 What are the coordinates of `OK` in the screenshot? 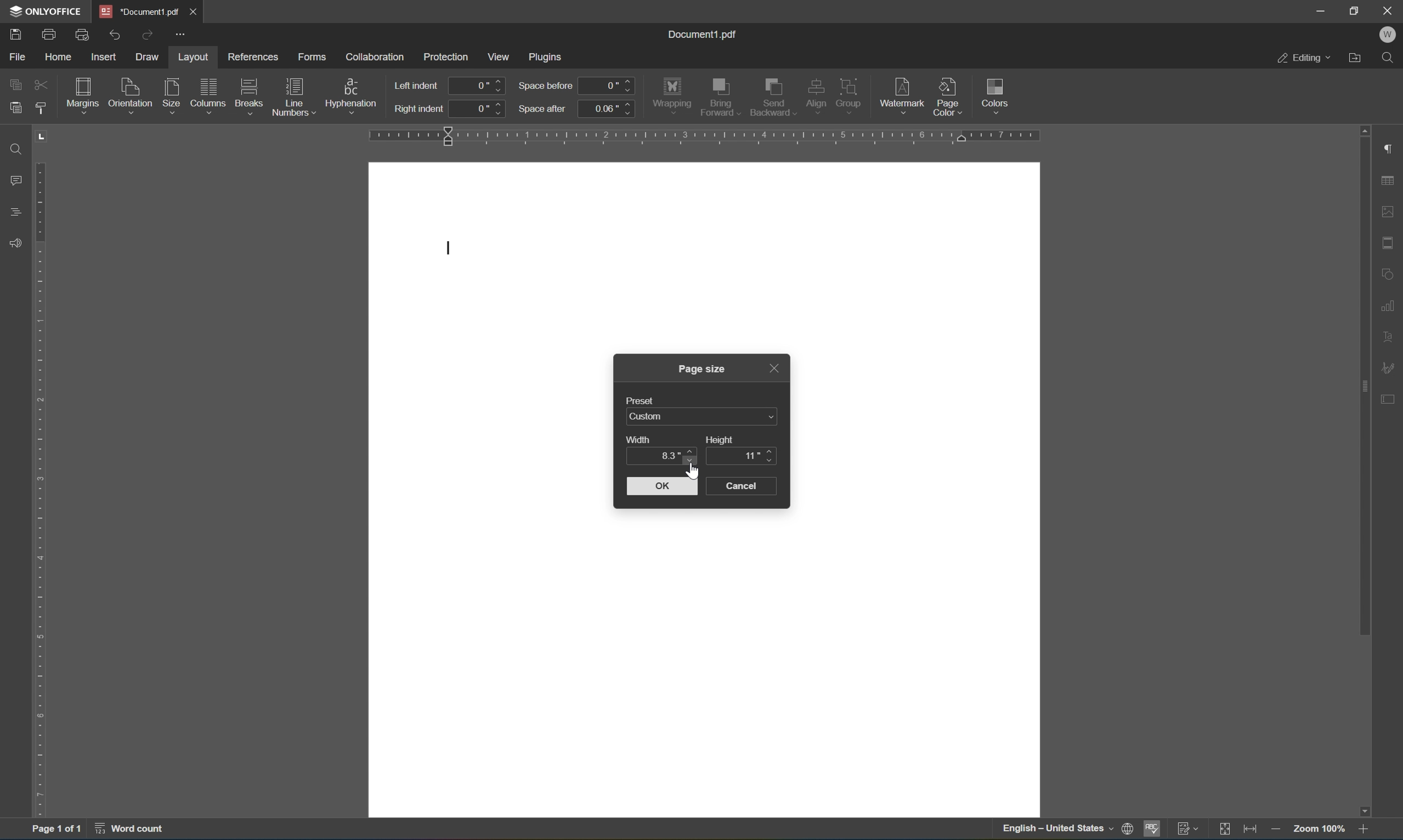 It's located at (664, 486).